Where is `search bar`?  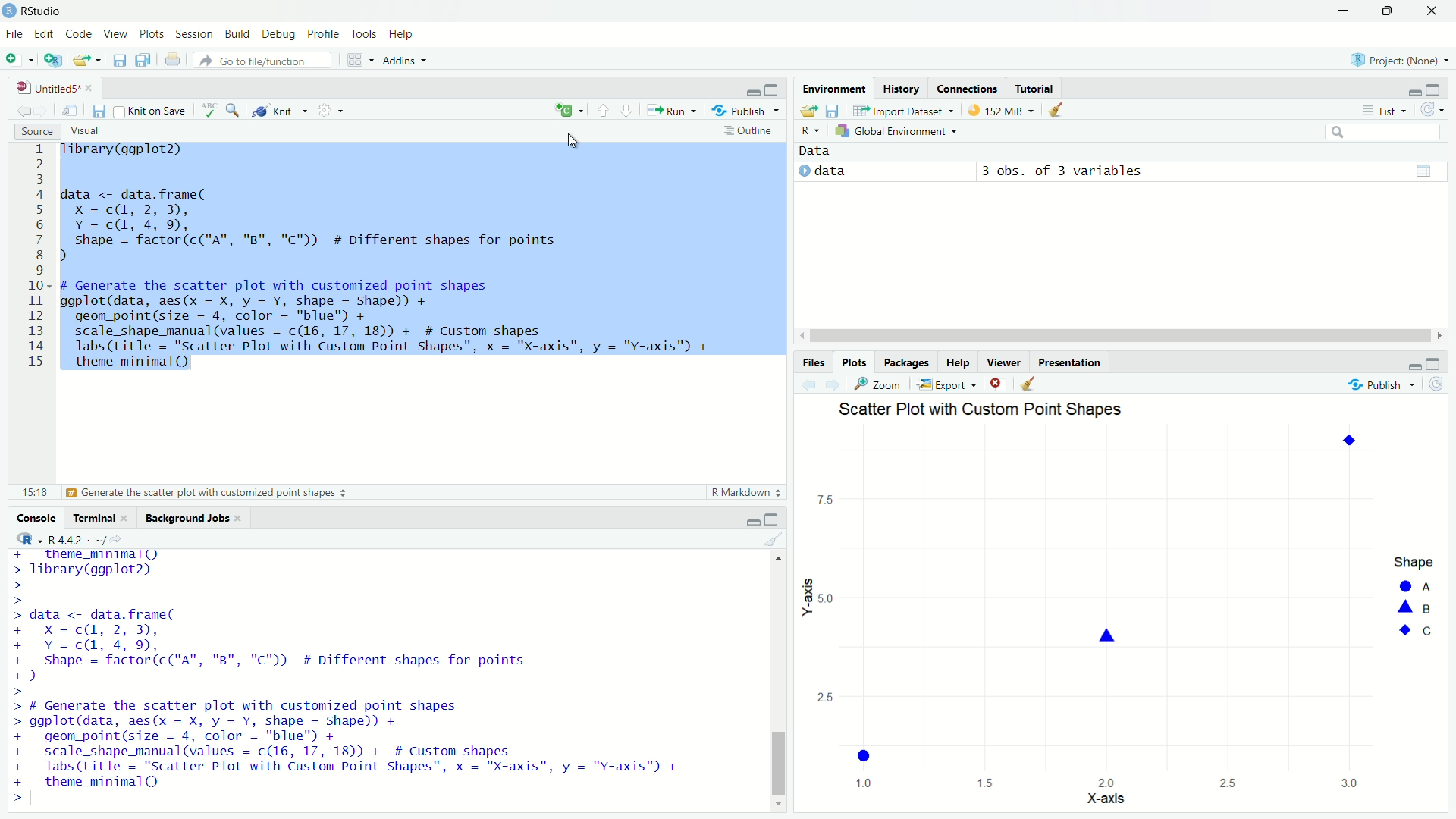 search bar is located at coordinates (1384, 133).